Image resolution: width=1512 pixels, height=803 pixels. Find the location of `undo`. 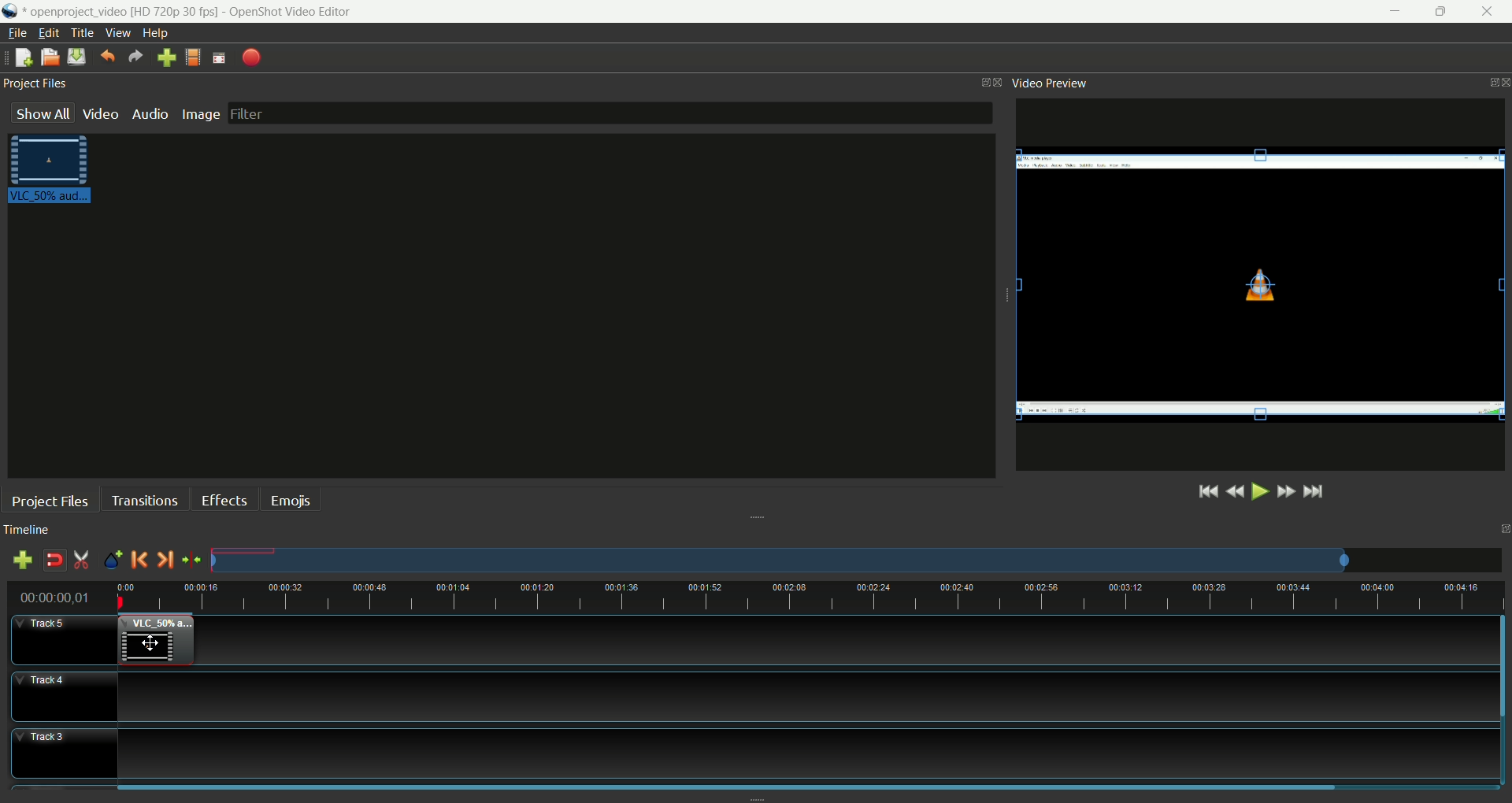

undo is located at coordinates (108, 57).